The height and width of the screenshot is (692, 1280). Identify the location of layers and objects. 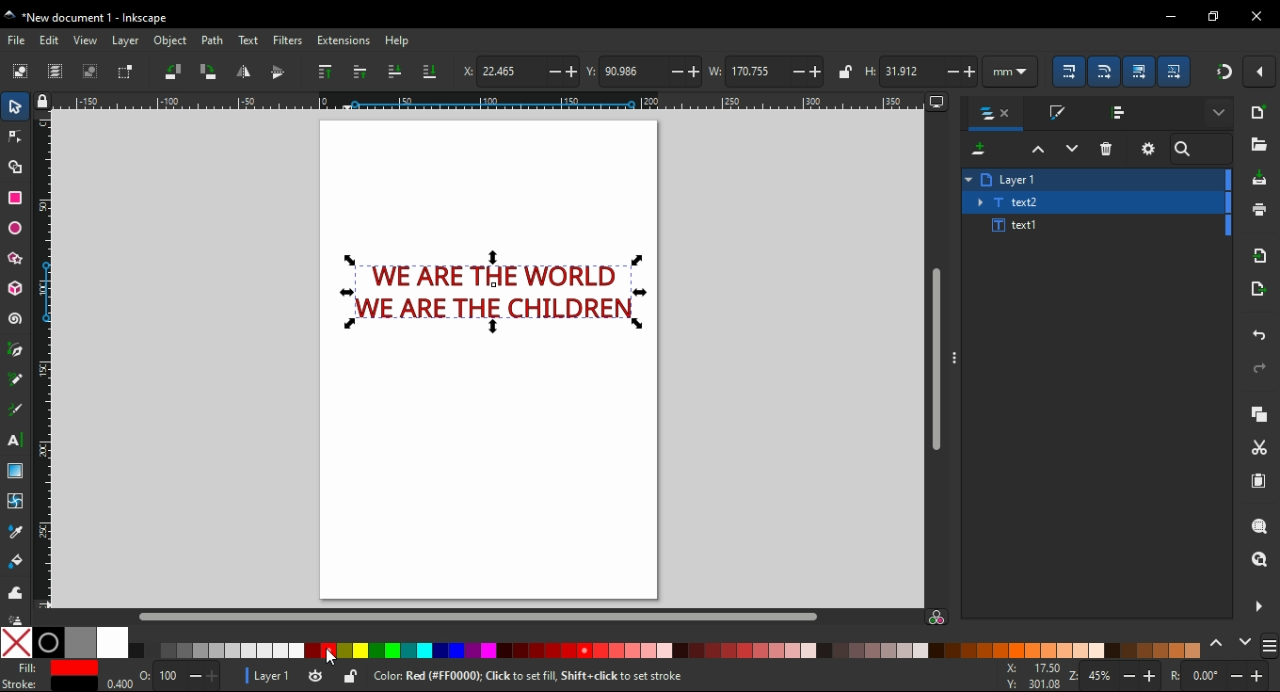
(994, 115).